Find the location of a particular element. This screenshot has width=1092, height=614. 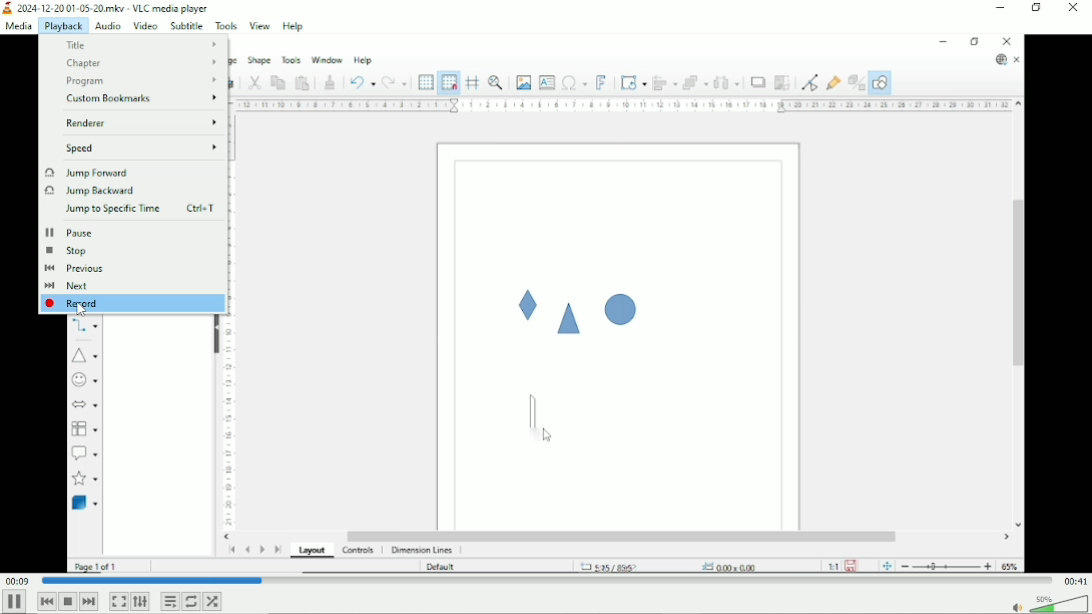

Stop is located at coordinates (127, 251).